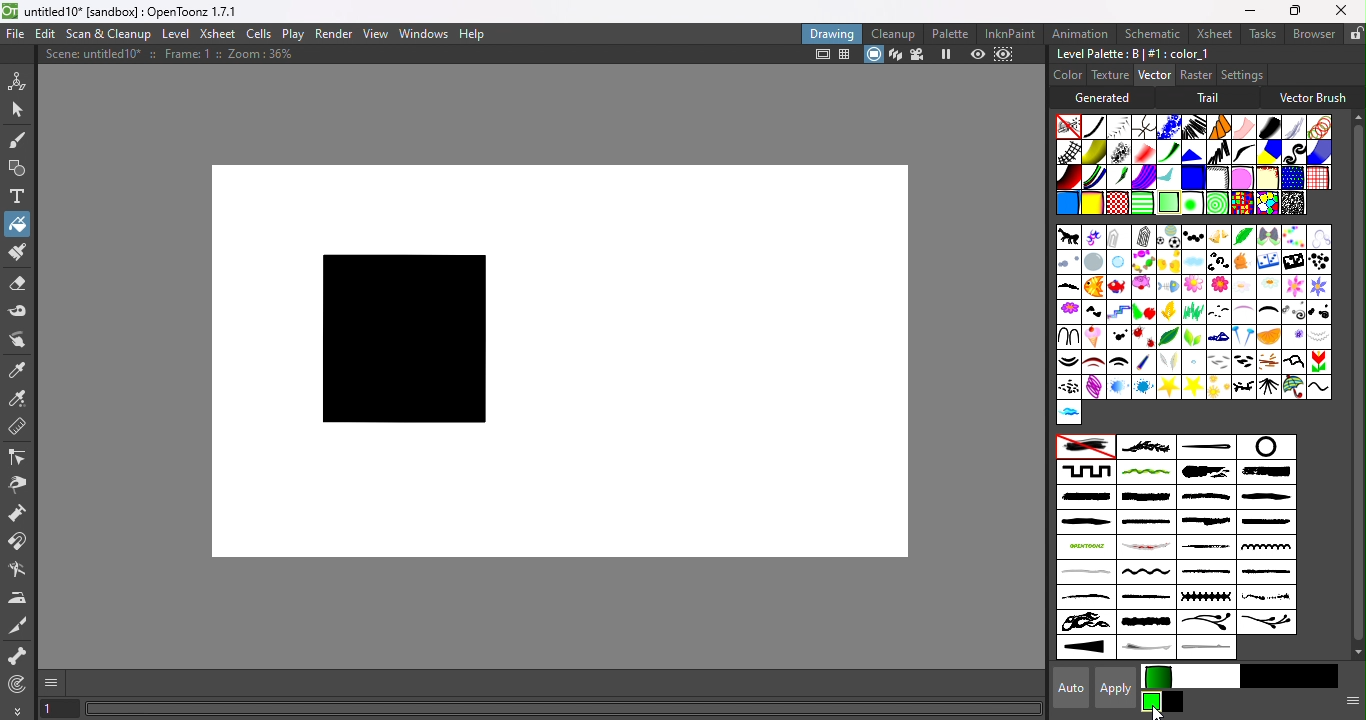 This screenshot has width=1366, height=720. I want to click on myra, so click(1218, 336).